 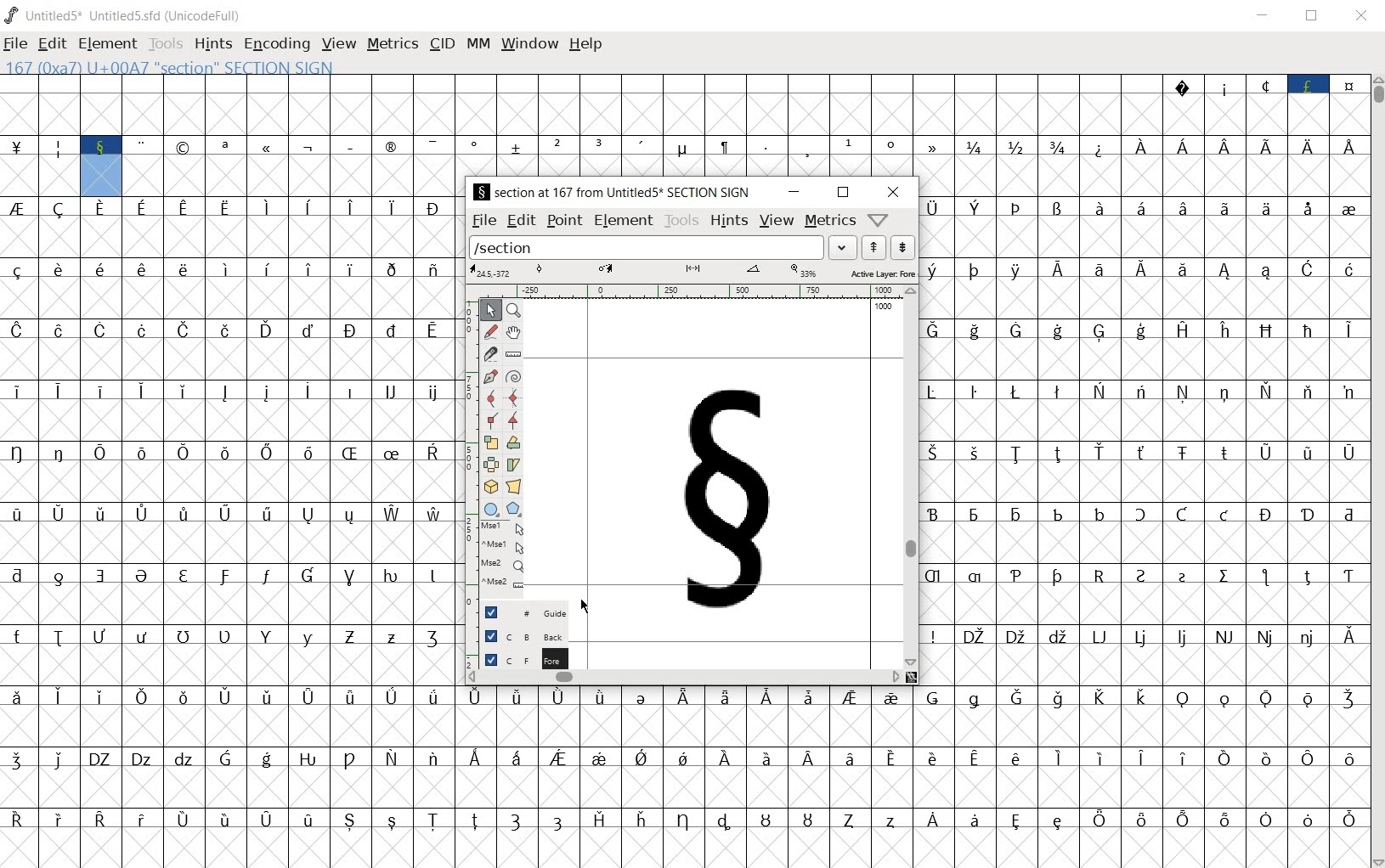 What do you see at coordinates (1265, 15) in the screenshot?
I see `MINIMIZE` at bounding box center [1265, 15].